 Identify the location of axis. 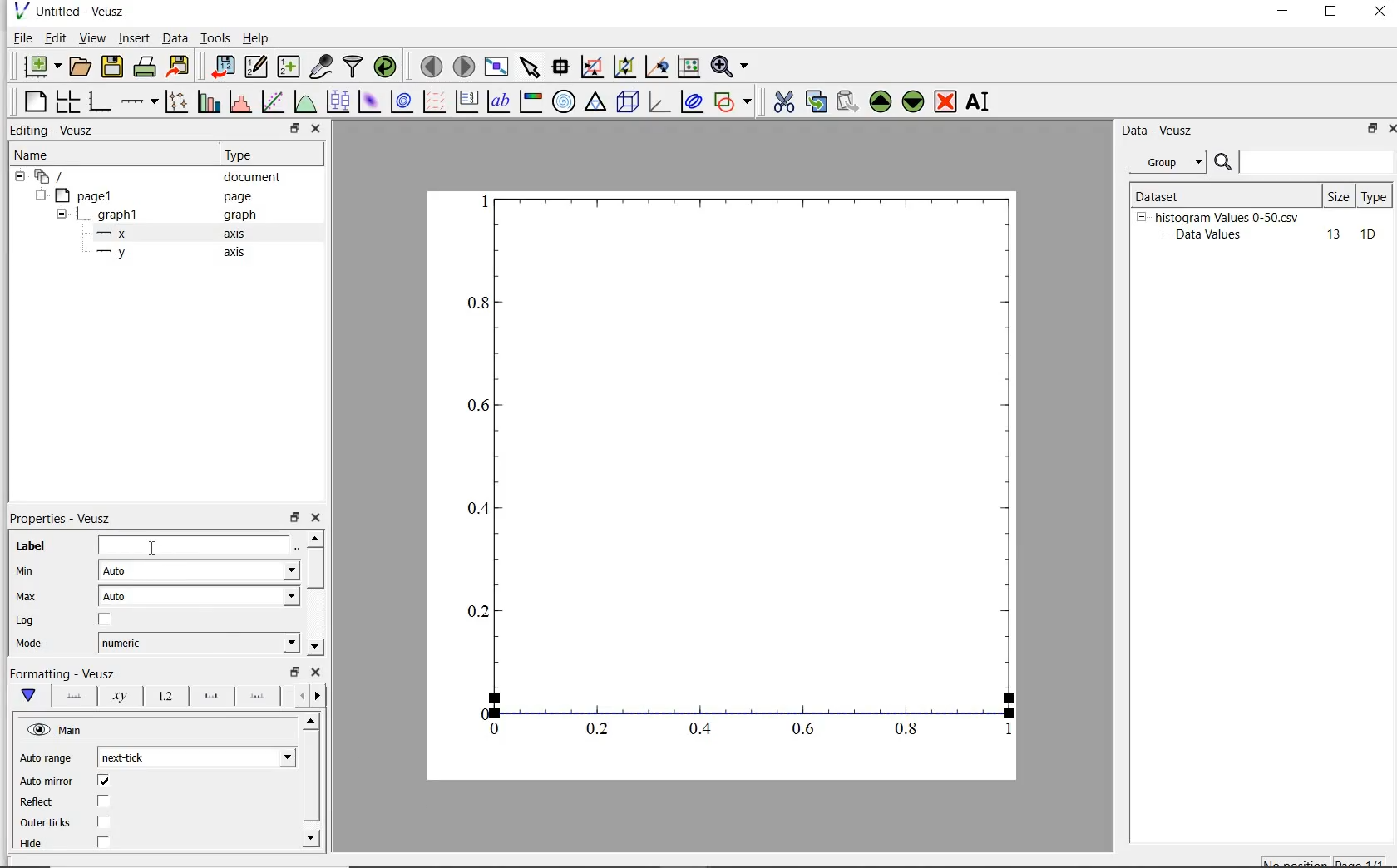
(239, 254).